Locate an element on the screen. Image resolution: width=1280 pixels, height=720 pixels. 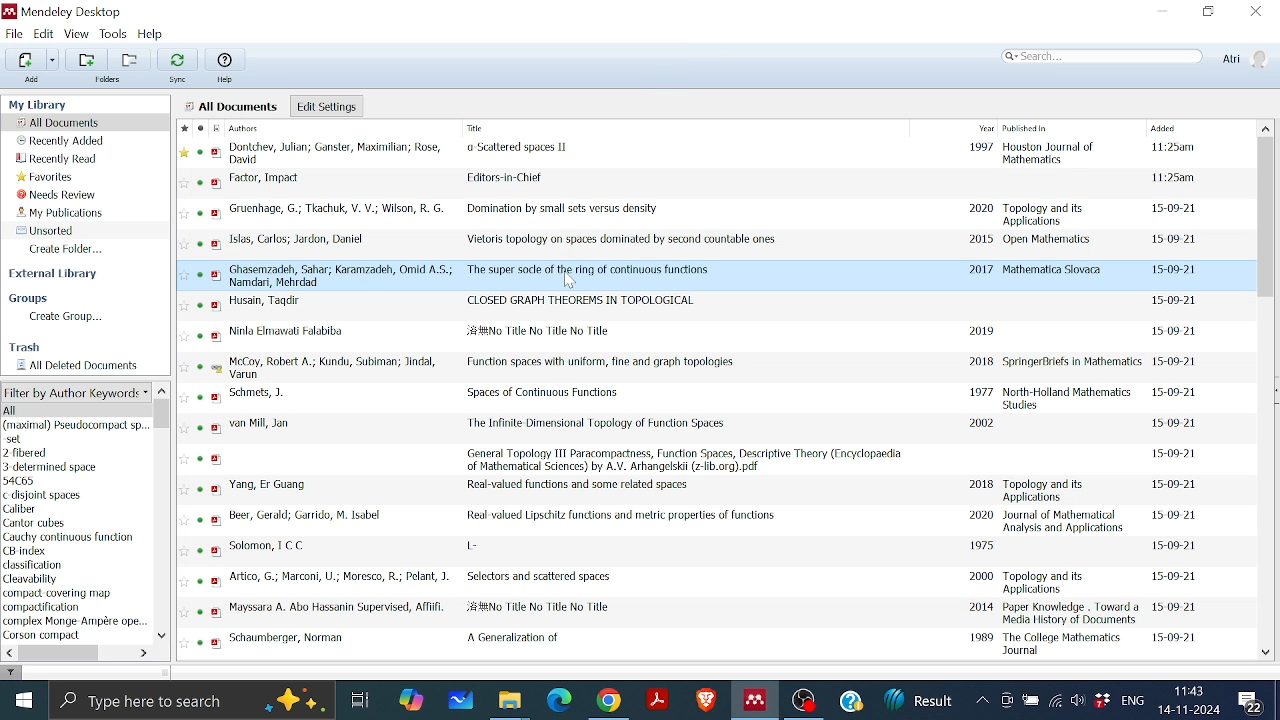
Option for adding files is located at coordinates (51, 59).